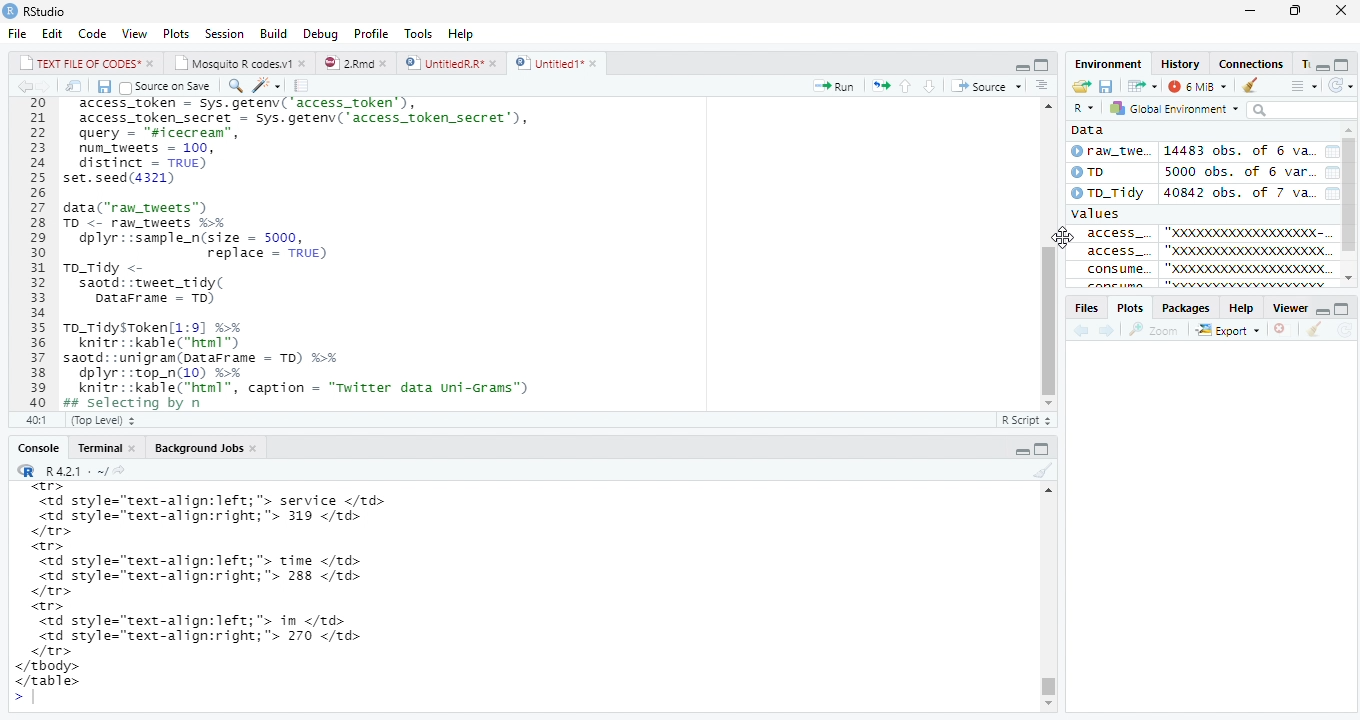  Describe the element at coordinates (17, 31) in the screenshot. I see `File` at that location.